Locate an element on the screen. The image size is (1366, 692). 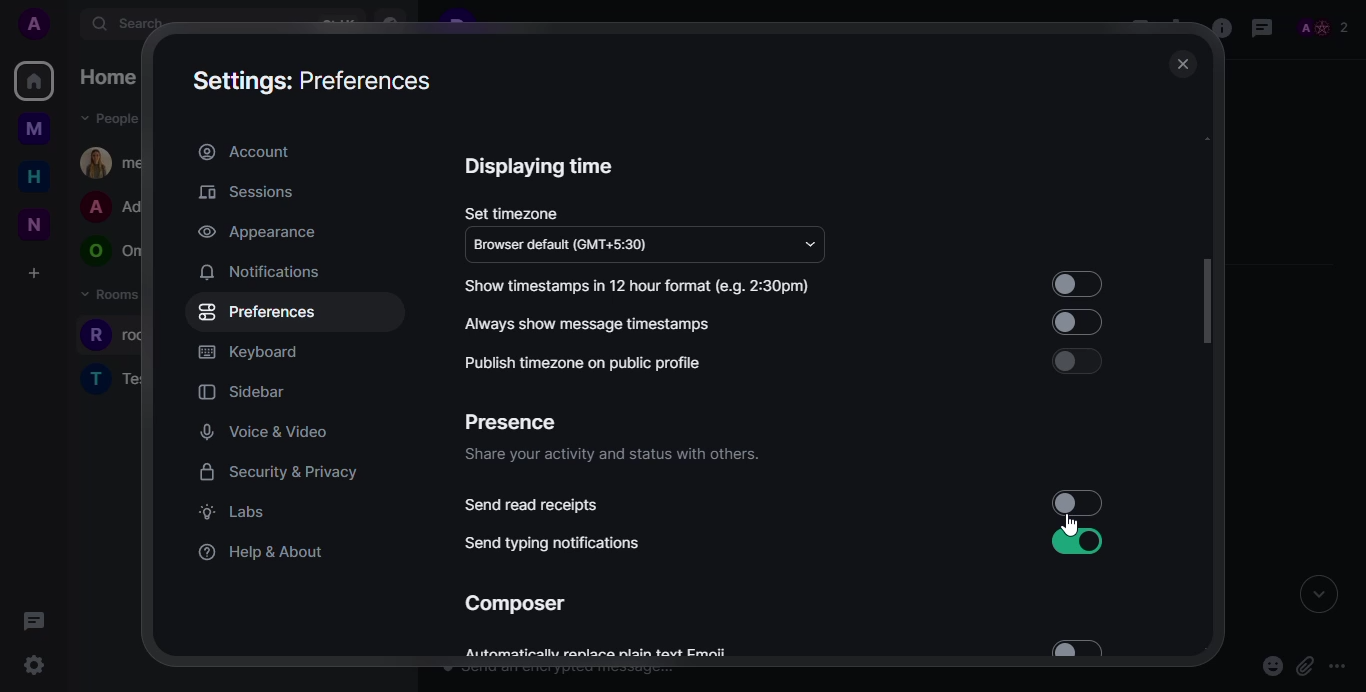
threads is located at coordinates (1262, 27).